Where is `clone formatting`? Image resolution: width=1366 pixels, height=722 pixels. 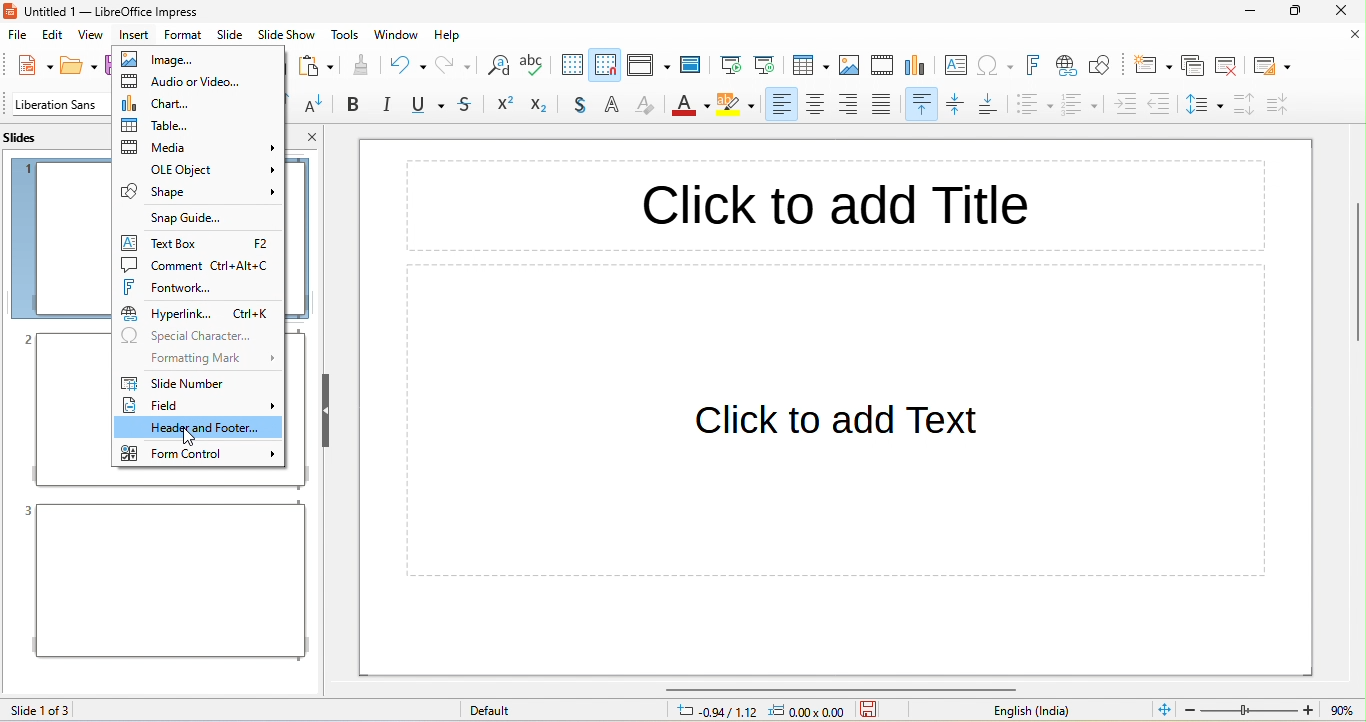
clone formatting is located at coordinates (361, 65).